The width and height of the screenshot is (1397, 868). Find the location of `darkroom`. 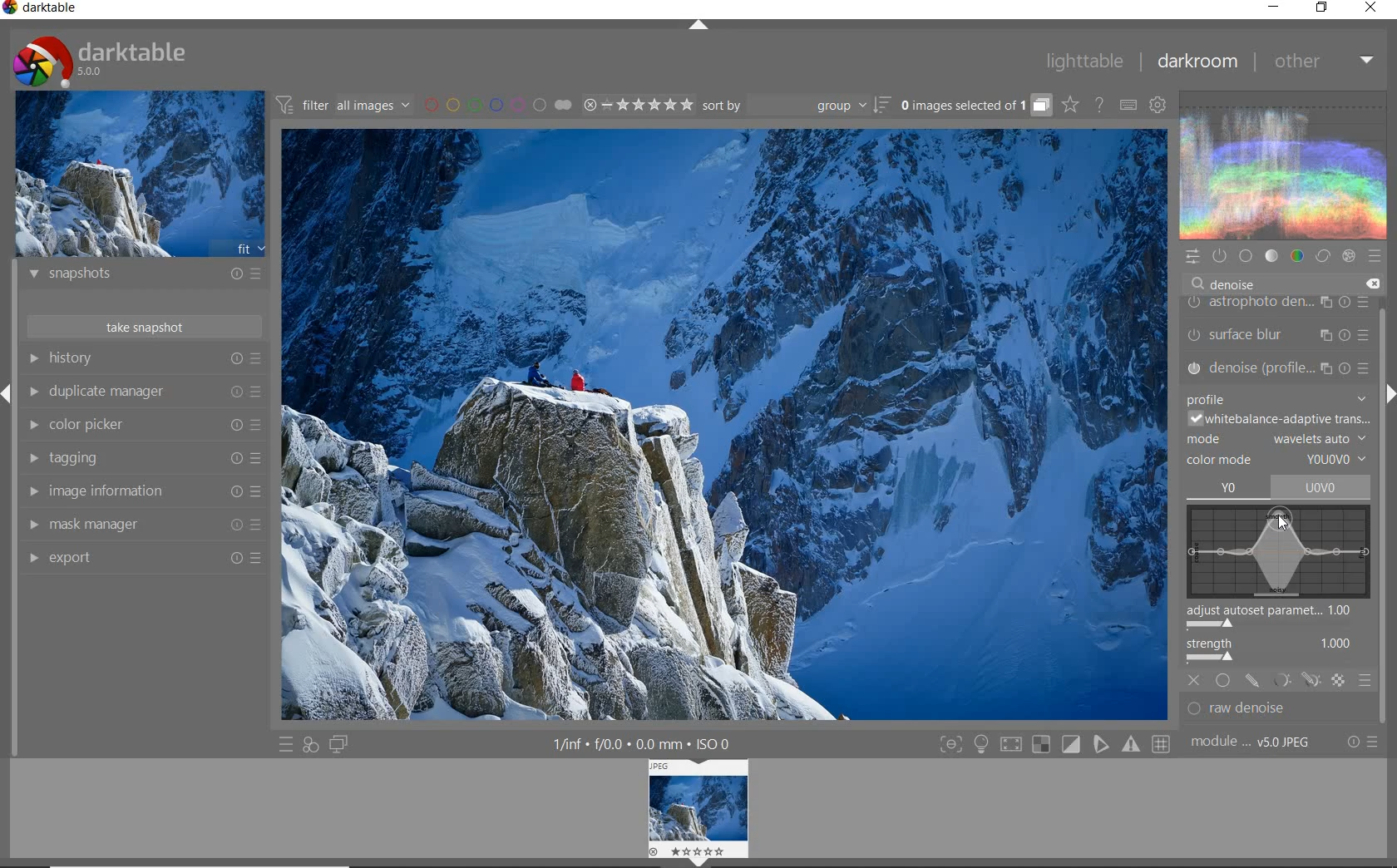

darkroom is located at coordinates (1197, 62).